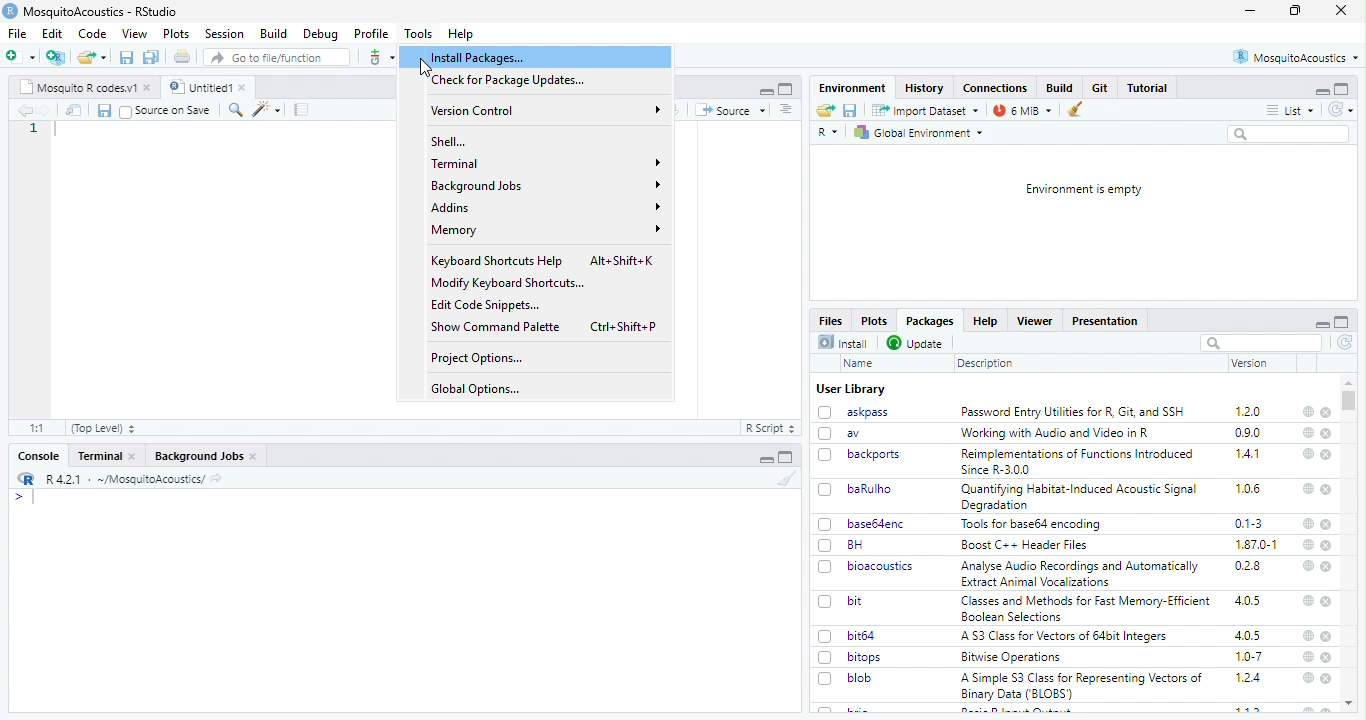  Describe the element at coordinates (45, 111) in the screenshot. I see `forward` at that location.